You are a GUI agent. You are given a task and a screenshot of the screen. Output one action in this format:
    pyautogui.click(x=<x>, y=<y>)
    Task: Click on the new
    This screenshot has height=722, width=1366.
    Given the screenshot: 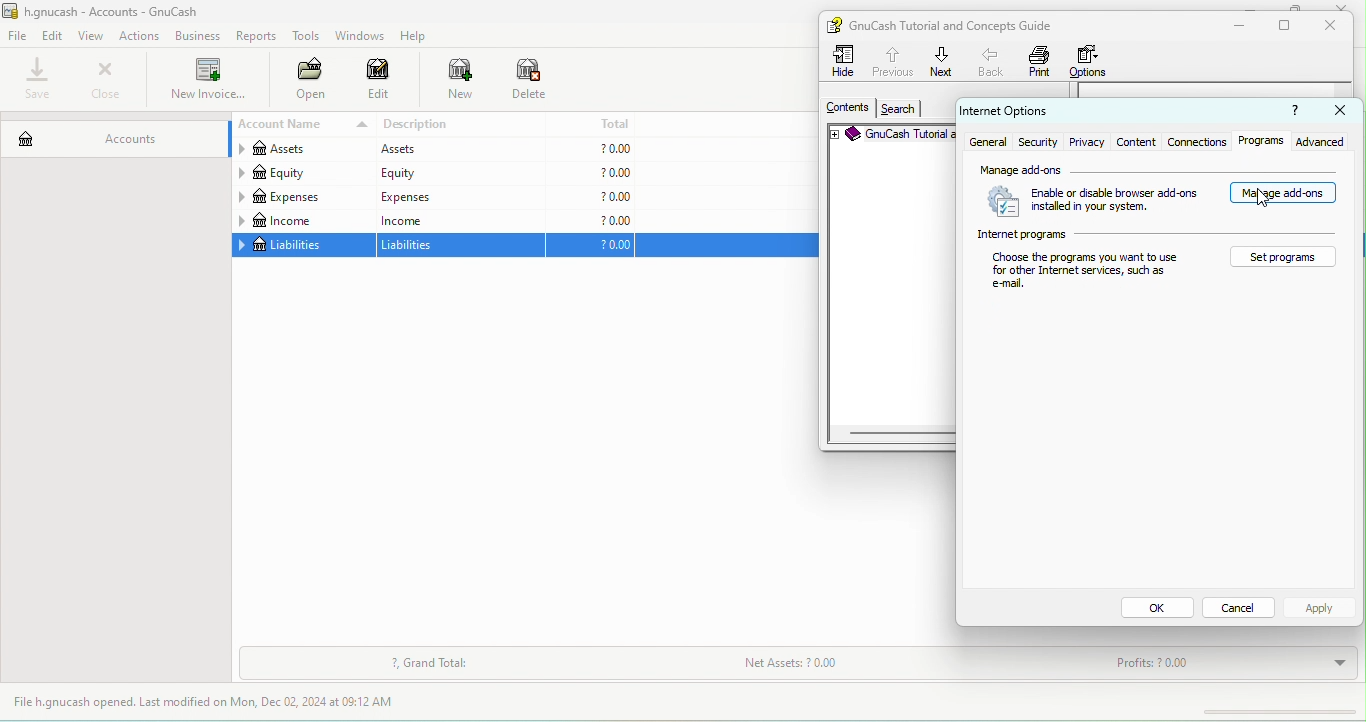 What is the action you would take?
    pyautogui.click(x=450, y=81)
    